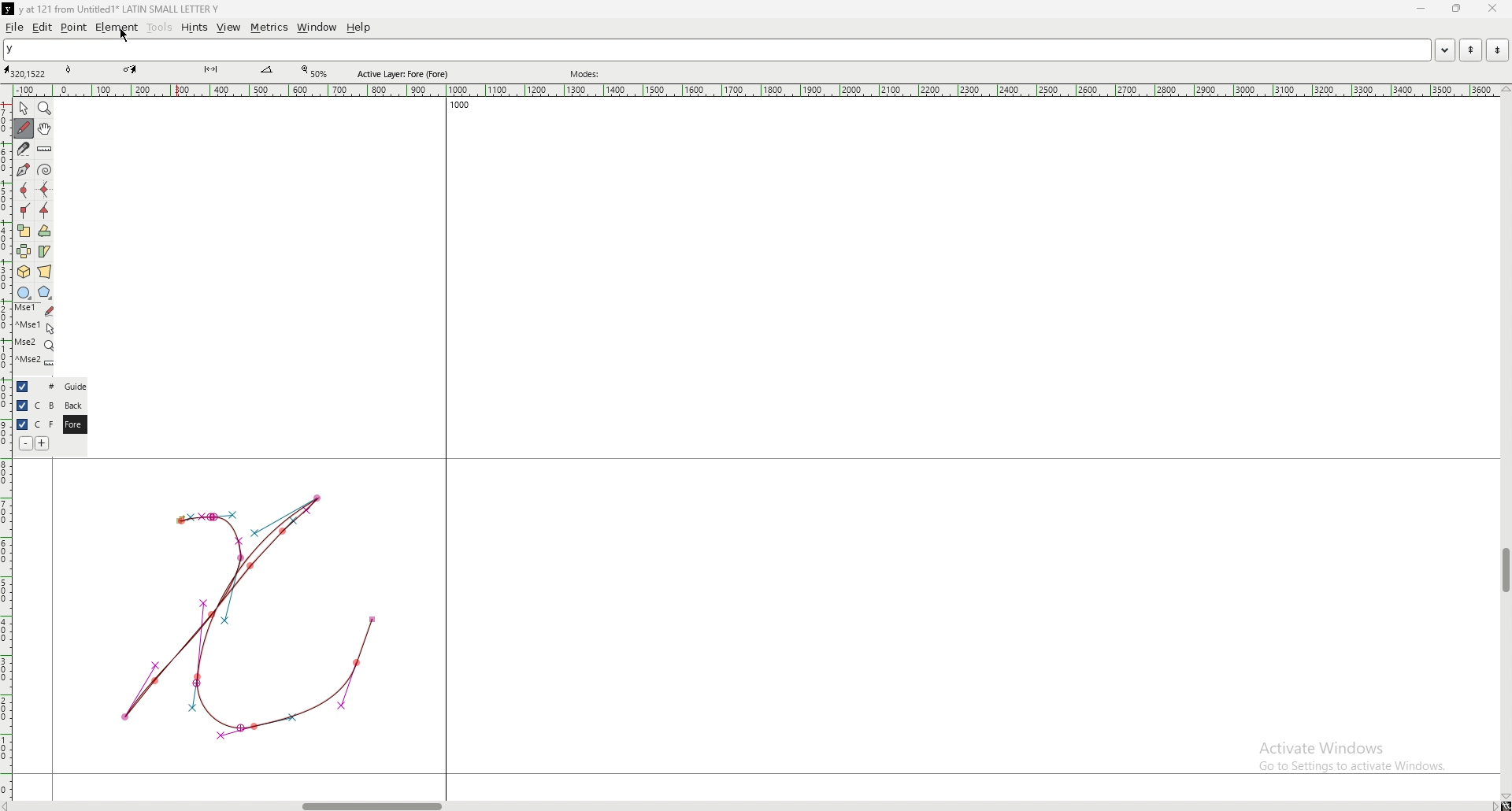 Image resolution: width=1512 pixels, height=811 pixels. What do you see at coordinates (126, 35) in the screenshot?
I see `cursor` at bounding box center [126, 35].